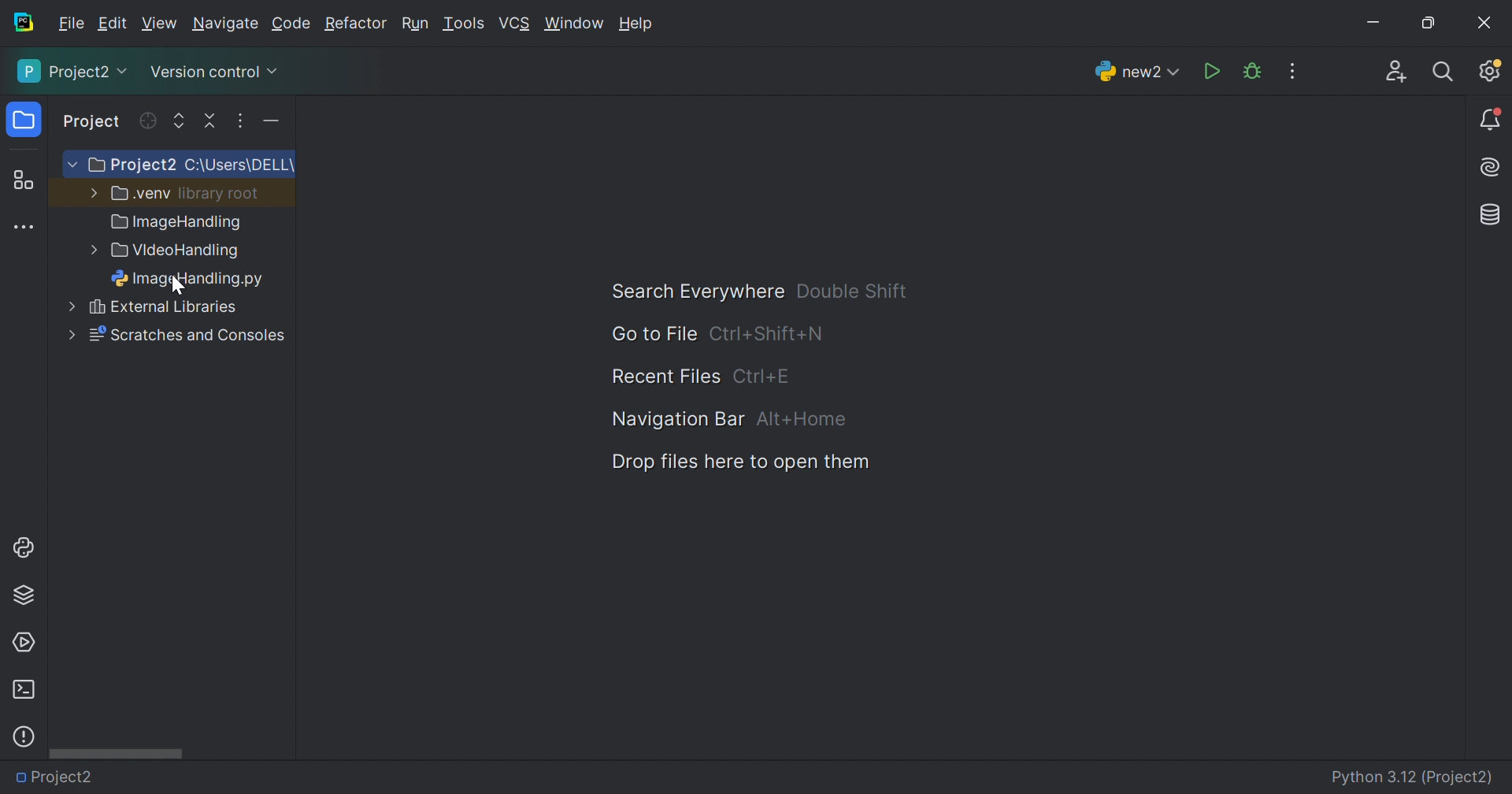 This screenshot has width=1512, height=794. Describe the element at coordinates (23, 643) in the screenshot. I see `Services` at that location.